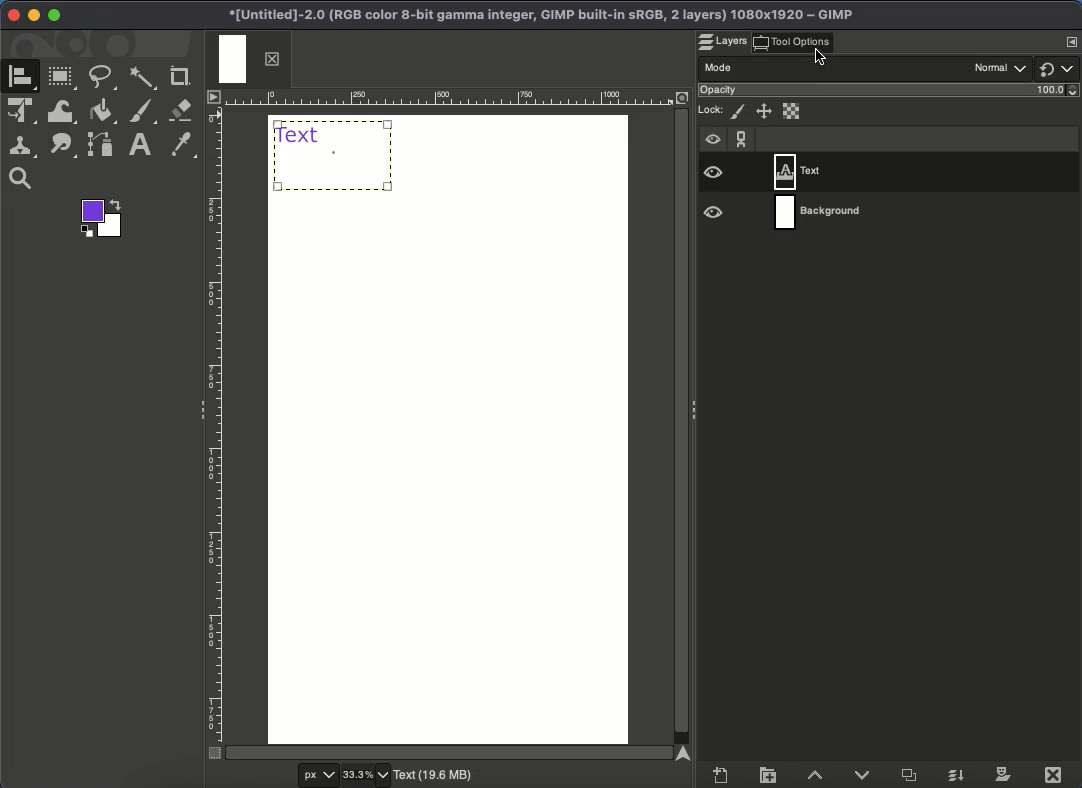 Image resolution: width=1082 pixels, height=788 pixels. I want to click on Color picker, so click(185, 146).